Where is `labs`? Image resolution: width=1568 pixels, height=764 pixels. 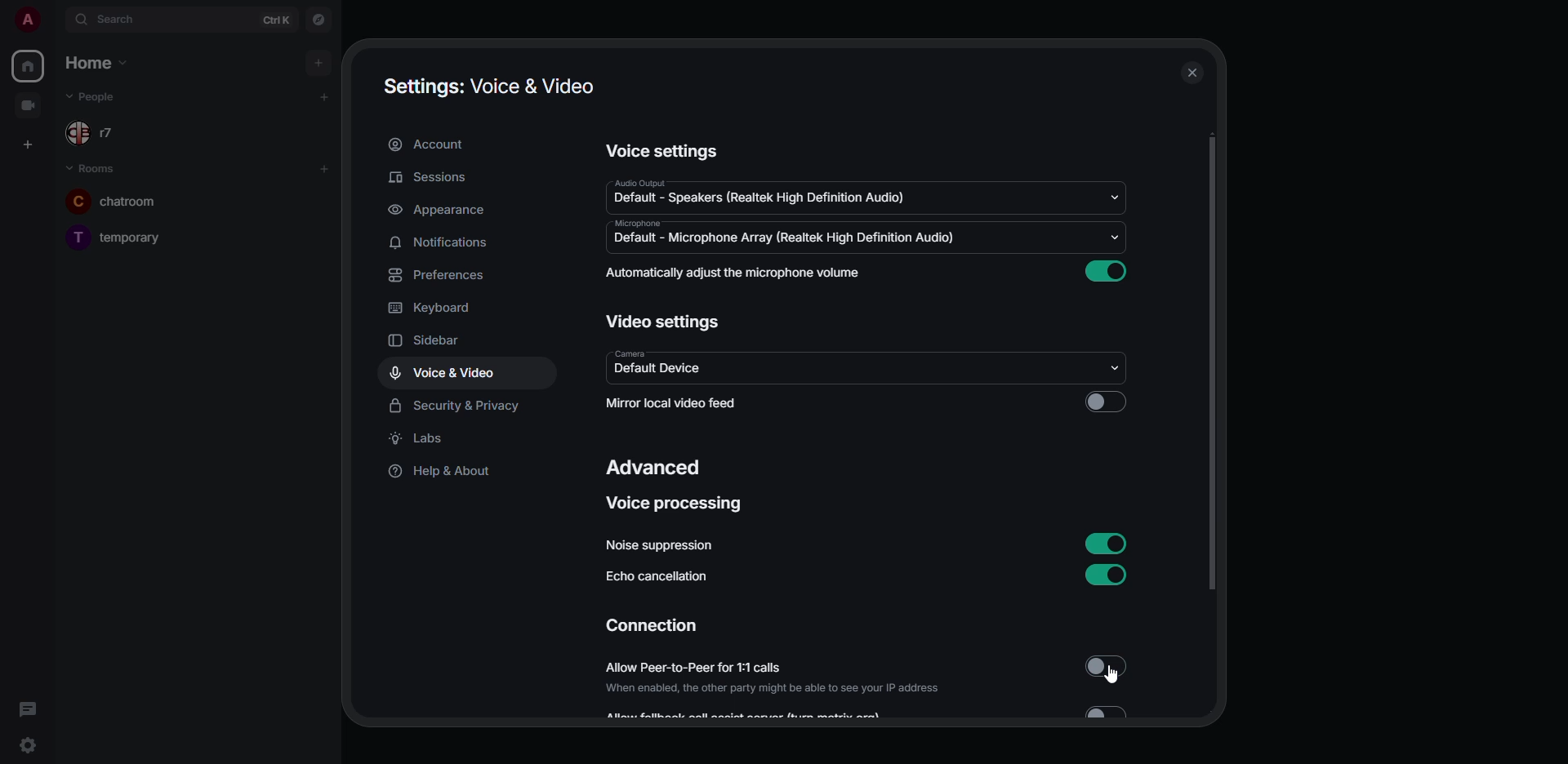
labs is located at coordinates (422, 441).